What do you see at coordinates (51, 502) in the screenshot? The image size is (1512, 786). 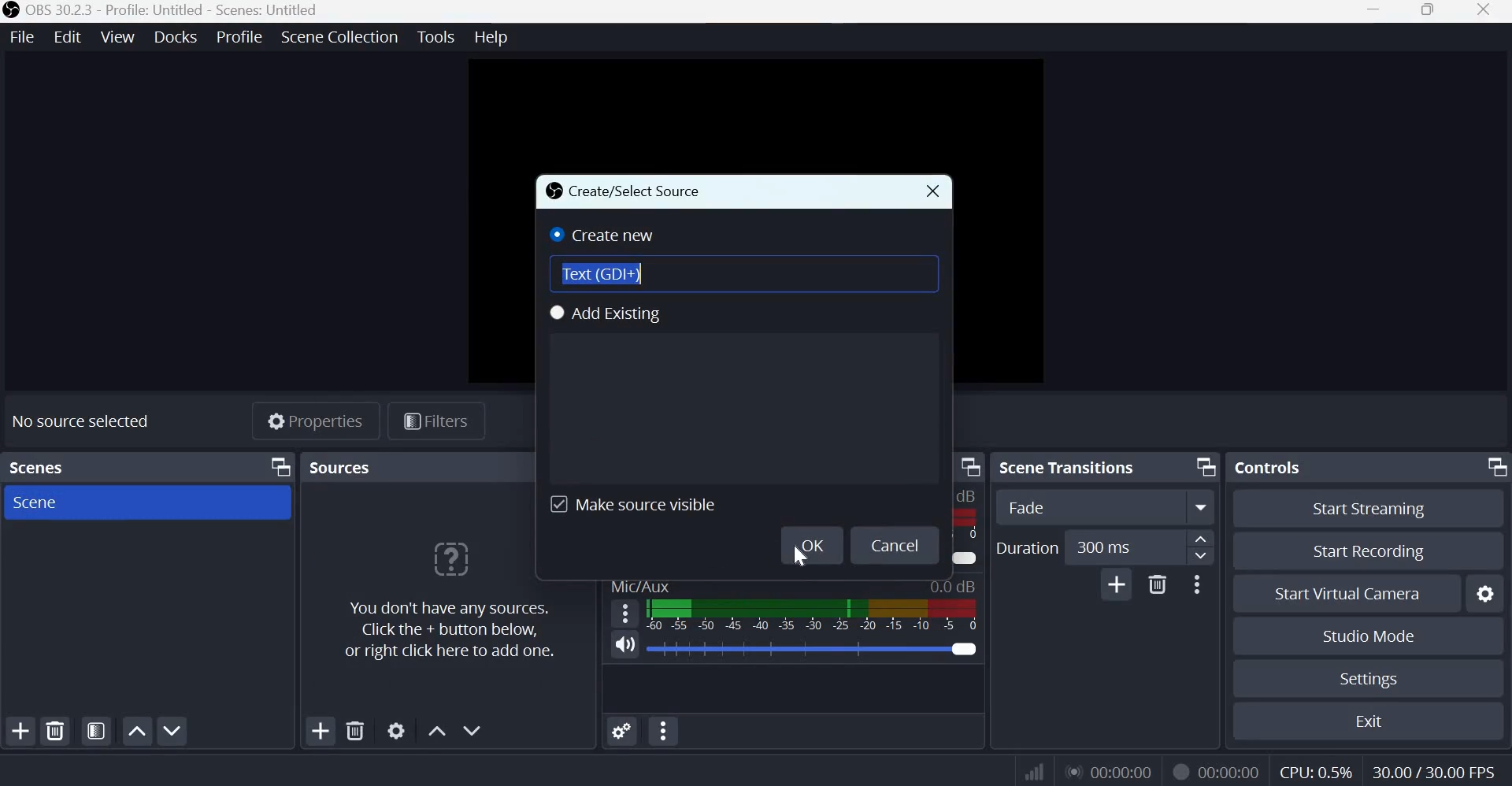 I see `Scene` at bounding box center [51, 502].